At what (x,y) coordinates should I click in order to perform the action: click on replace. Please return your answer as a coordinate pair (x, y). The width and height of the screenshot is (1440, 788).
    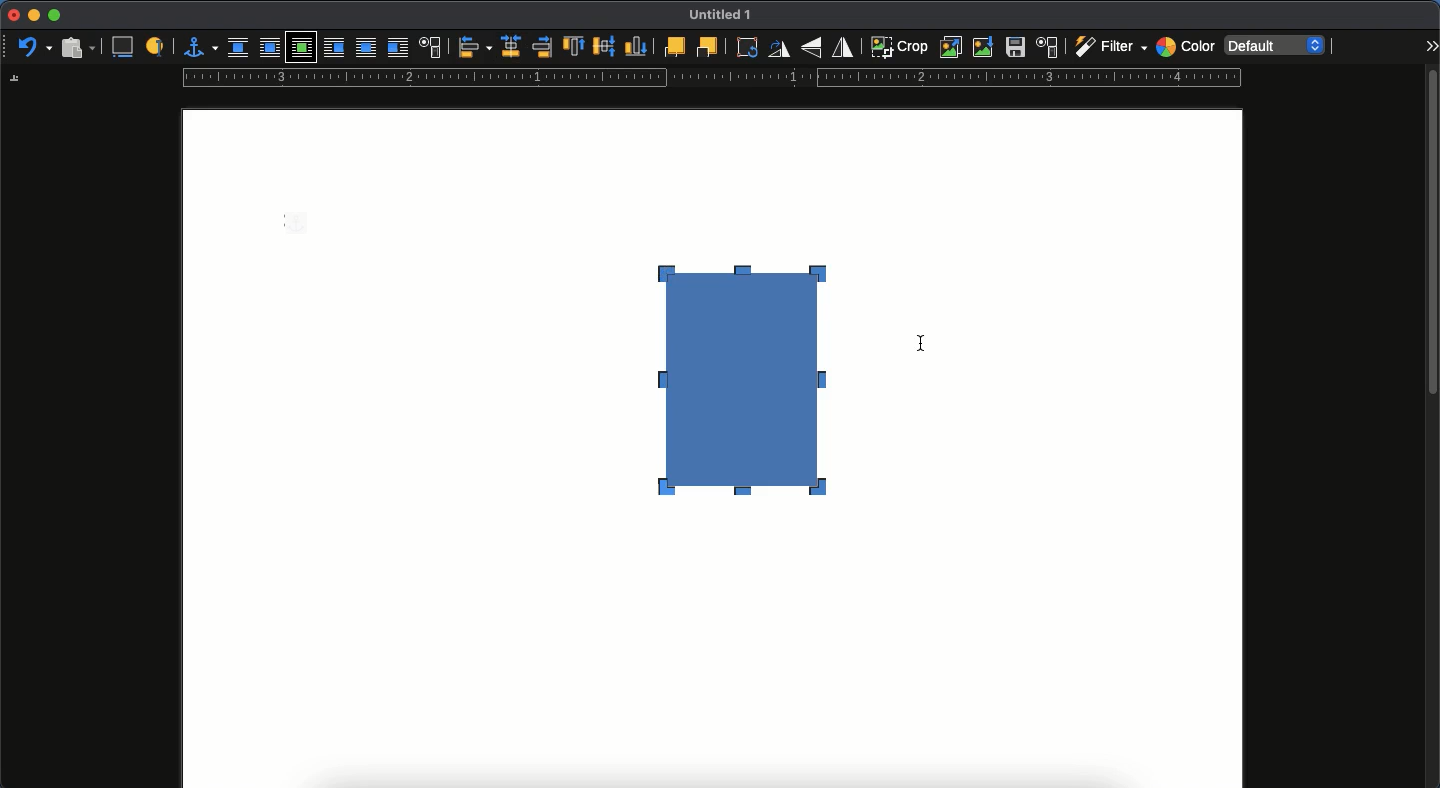
    Looking at the image, I should click on (952, 47).